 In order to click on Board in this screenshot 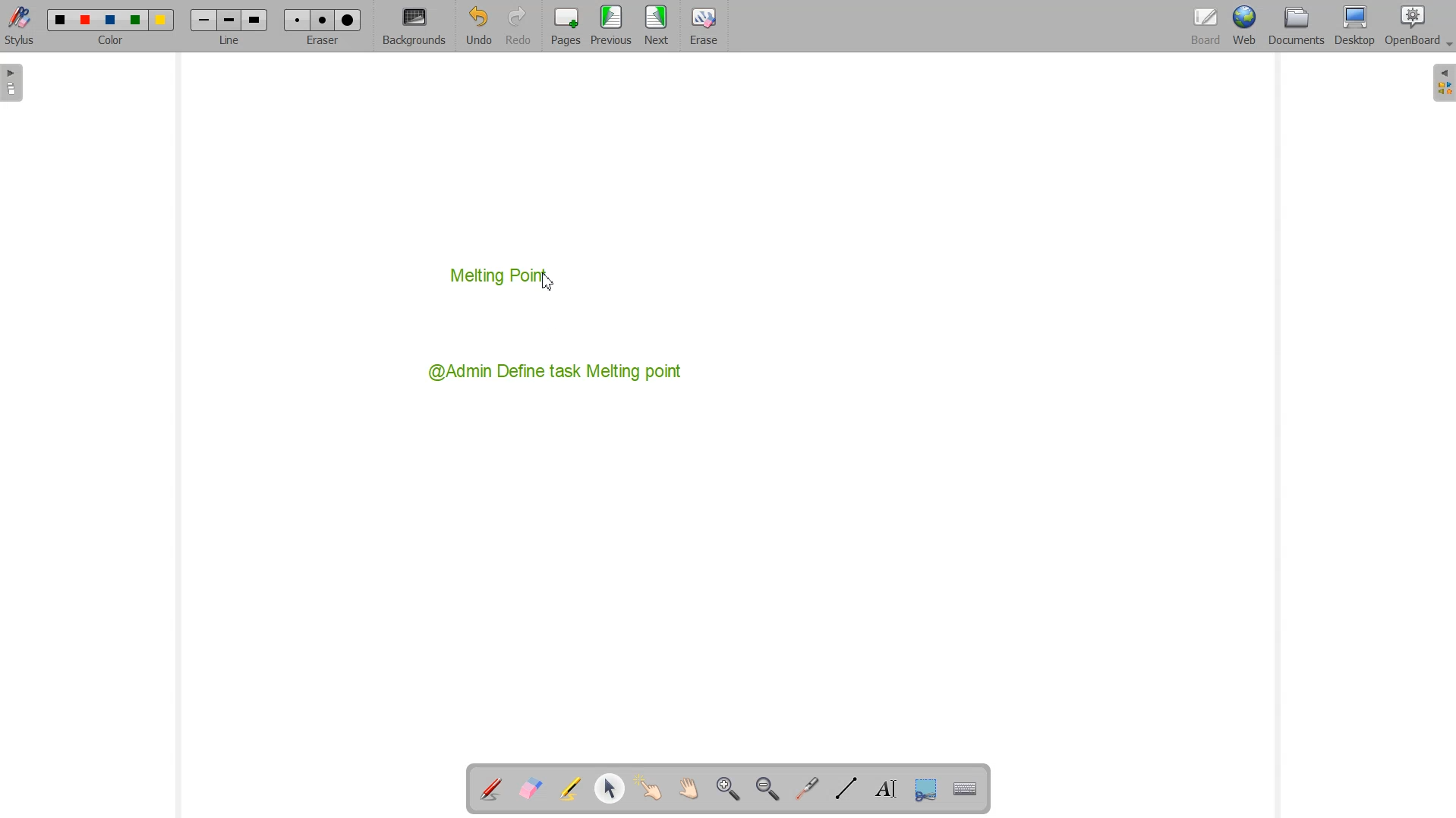, I will do `click(1203, 27)`.